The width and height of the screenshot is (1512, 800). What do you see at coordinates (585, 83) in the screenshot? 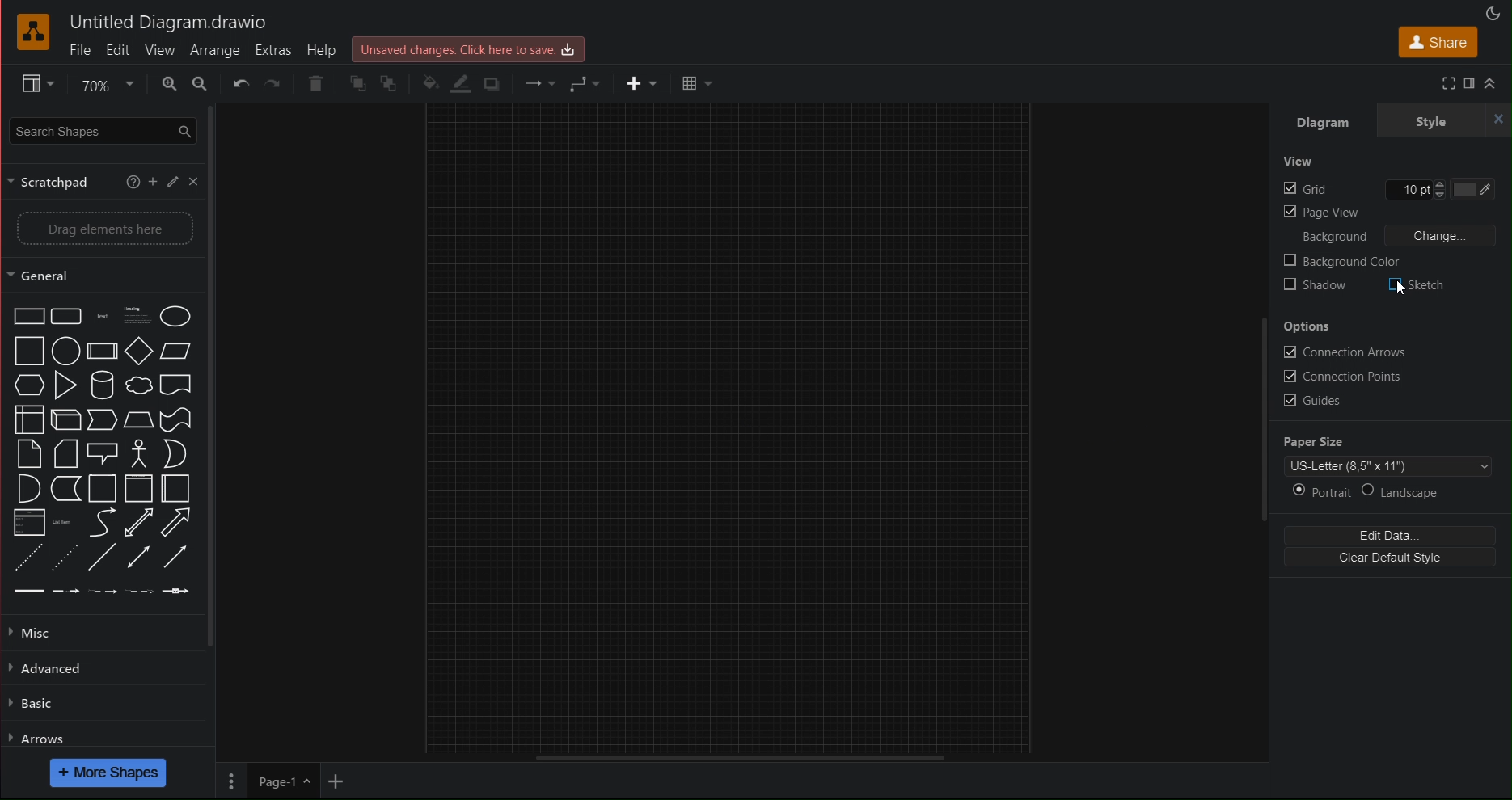
I see `Waypoint` at bounding box center [585, 83].